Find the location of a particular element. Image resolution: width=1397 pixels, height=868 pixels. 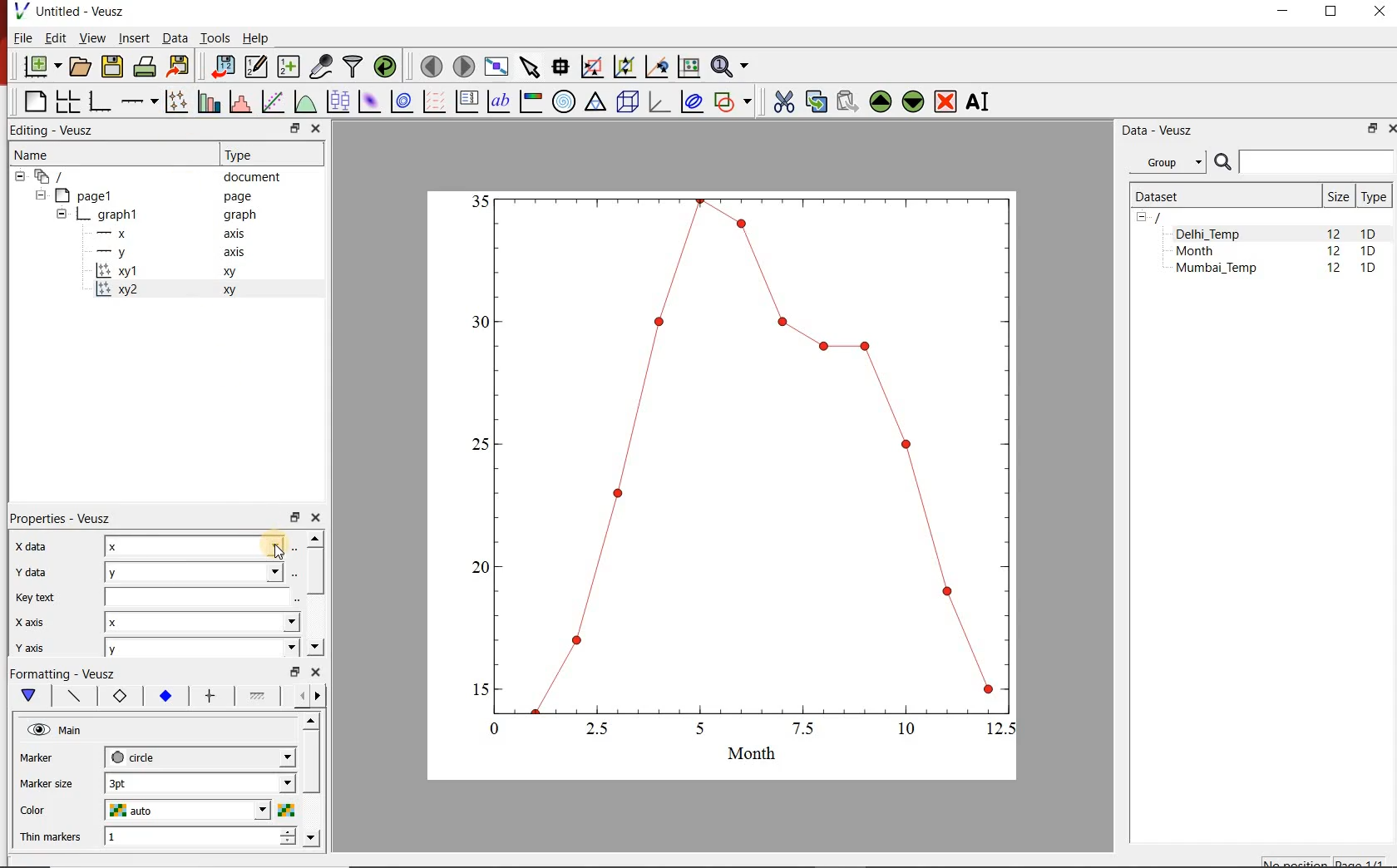

Size is located at coordinates (1338, 196).